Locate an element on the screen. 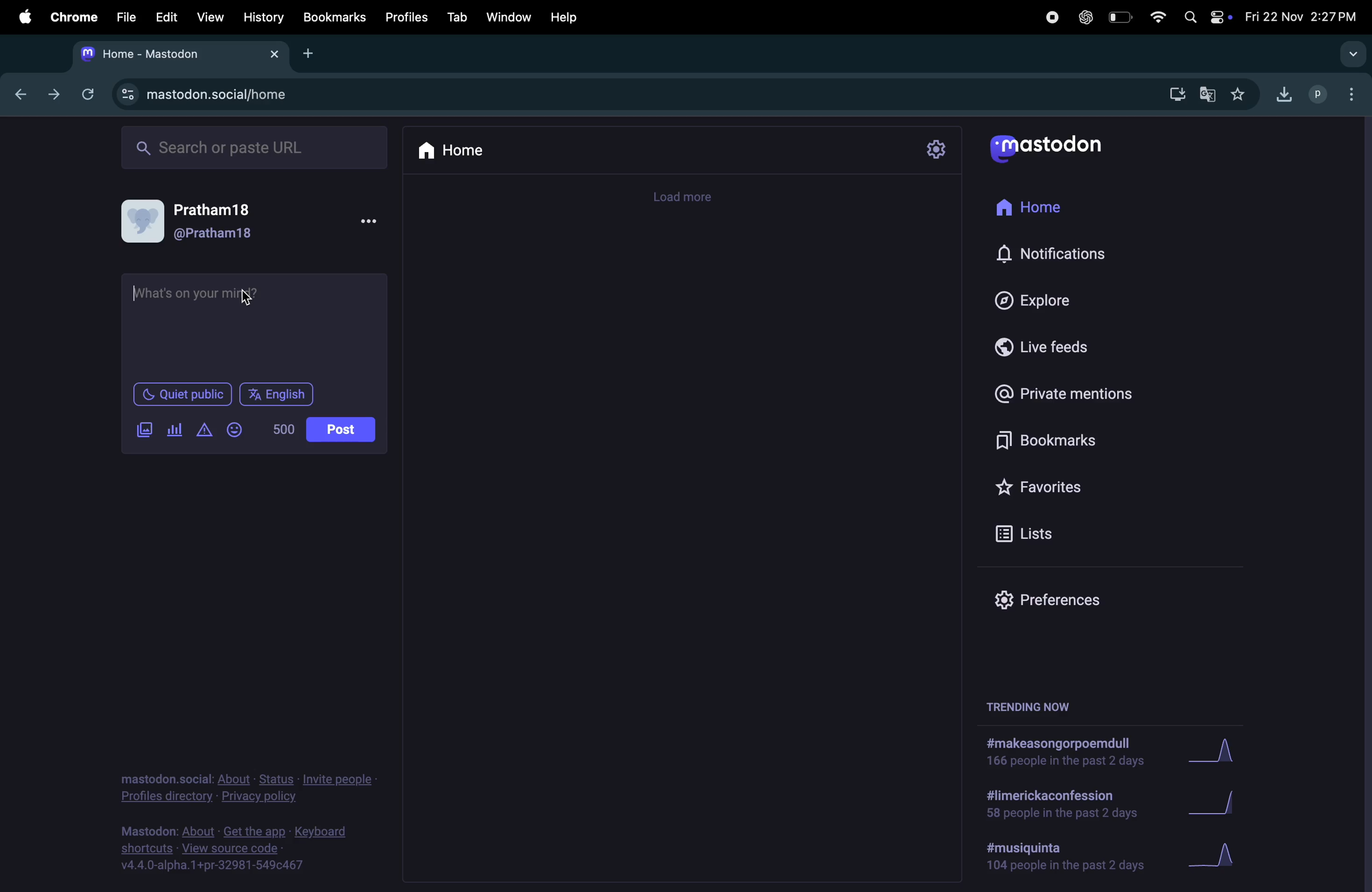  language is located at coordinates (278, 395).